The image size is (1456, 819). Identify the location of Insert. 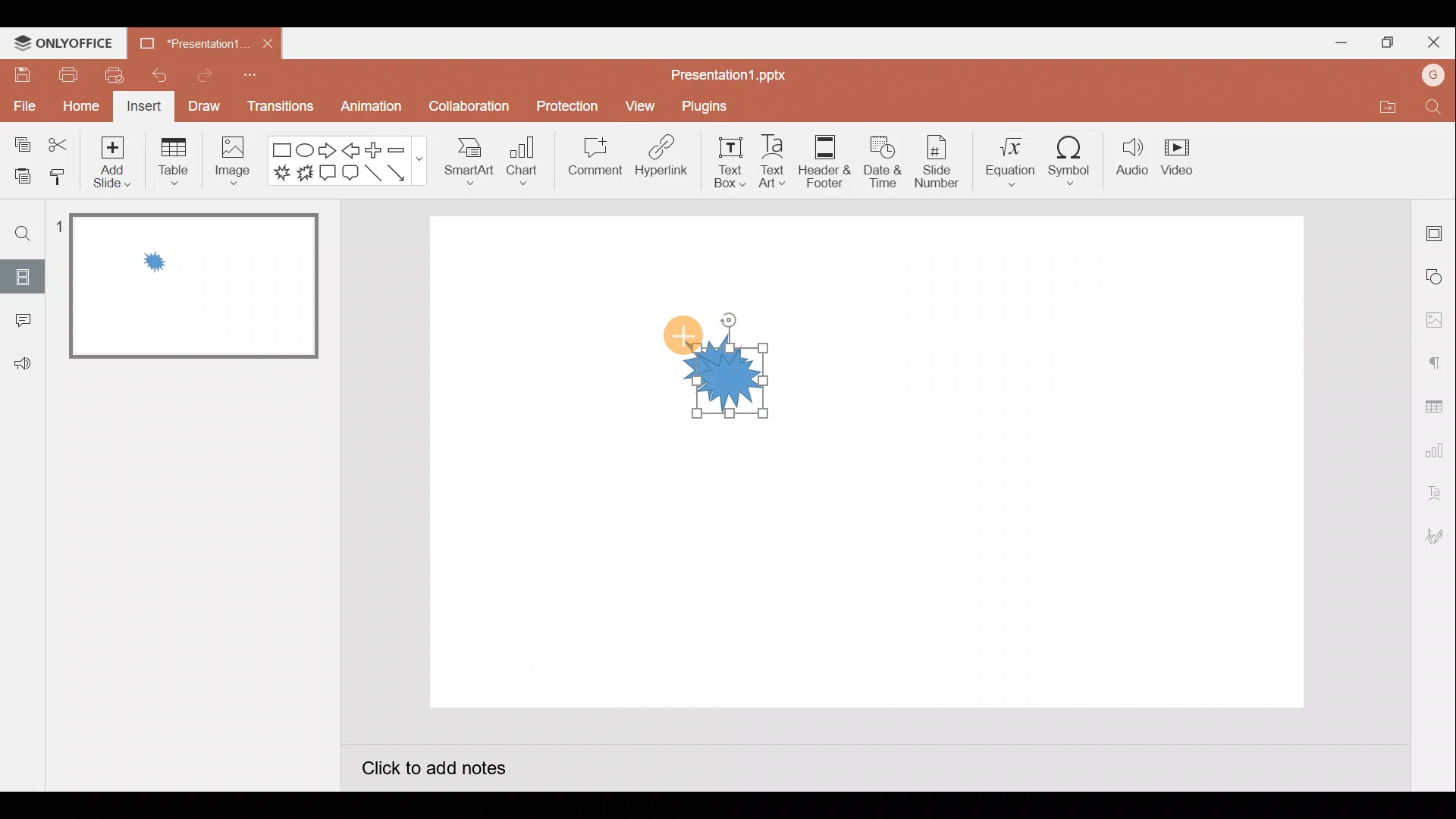
(146, 107).